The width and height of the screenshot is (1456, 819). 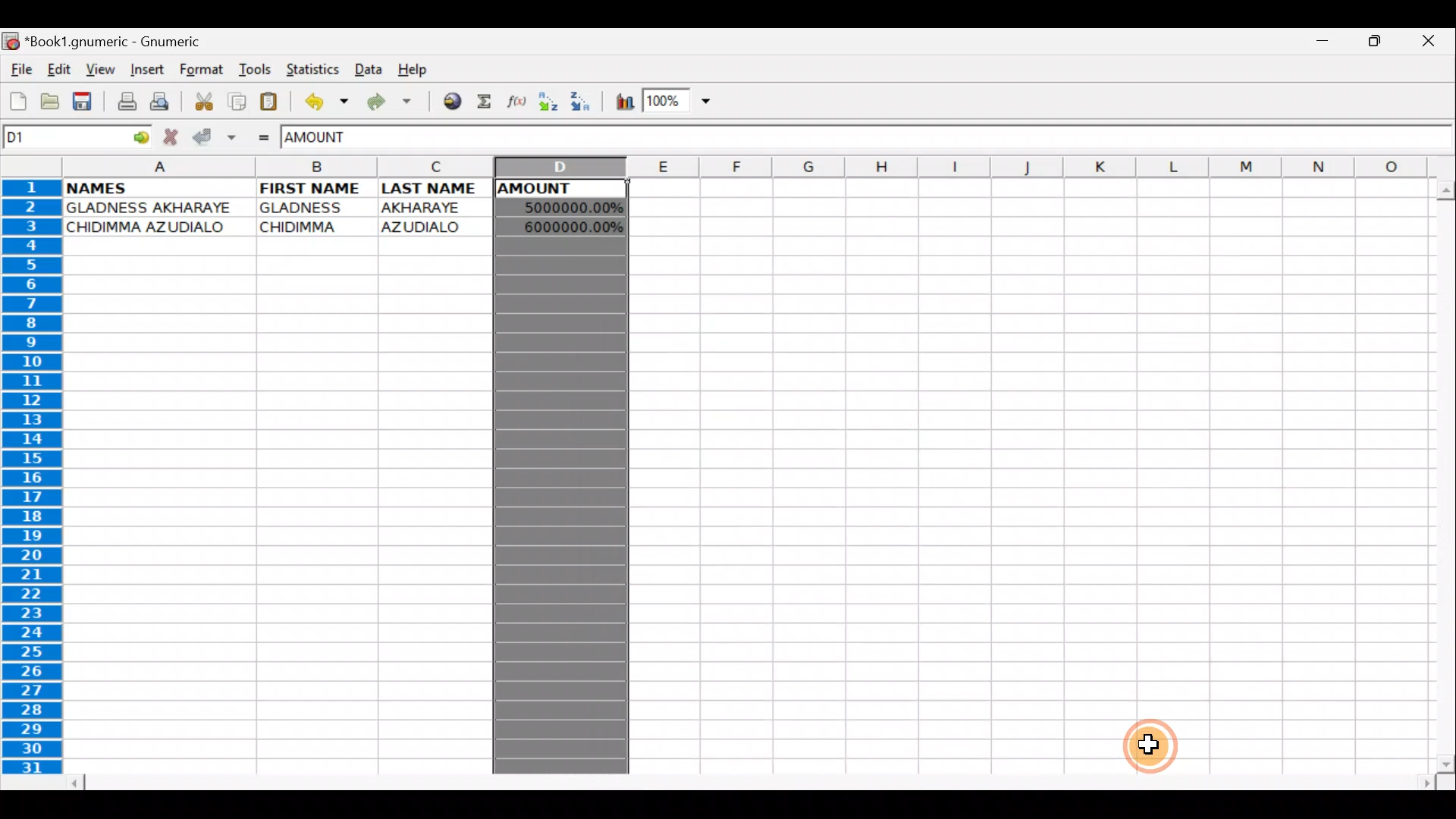 What do you see at coordinates (332, 139) in the screenshot?
I see `AMOUNT` at bounding box center [332, 139].